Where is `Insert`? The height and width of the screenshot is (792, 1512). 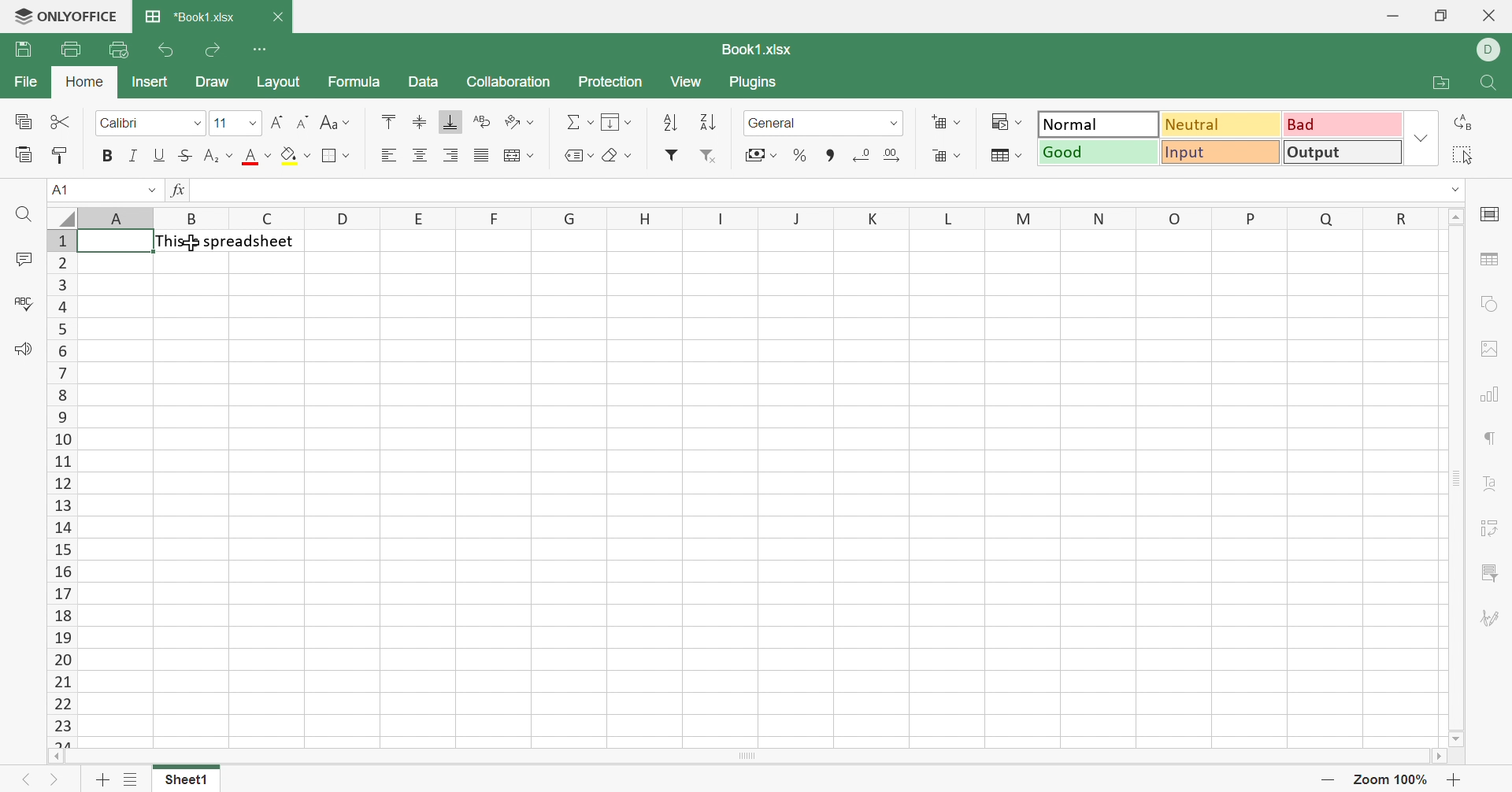
Insert is located at coordinates (150, 81).